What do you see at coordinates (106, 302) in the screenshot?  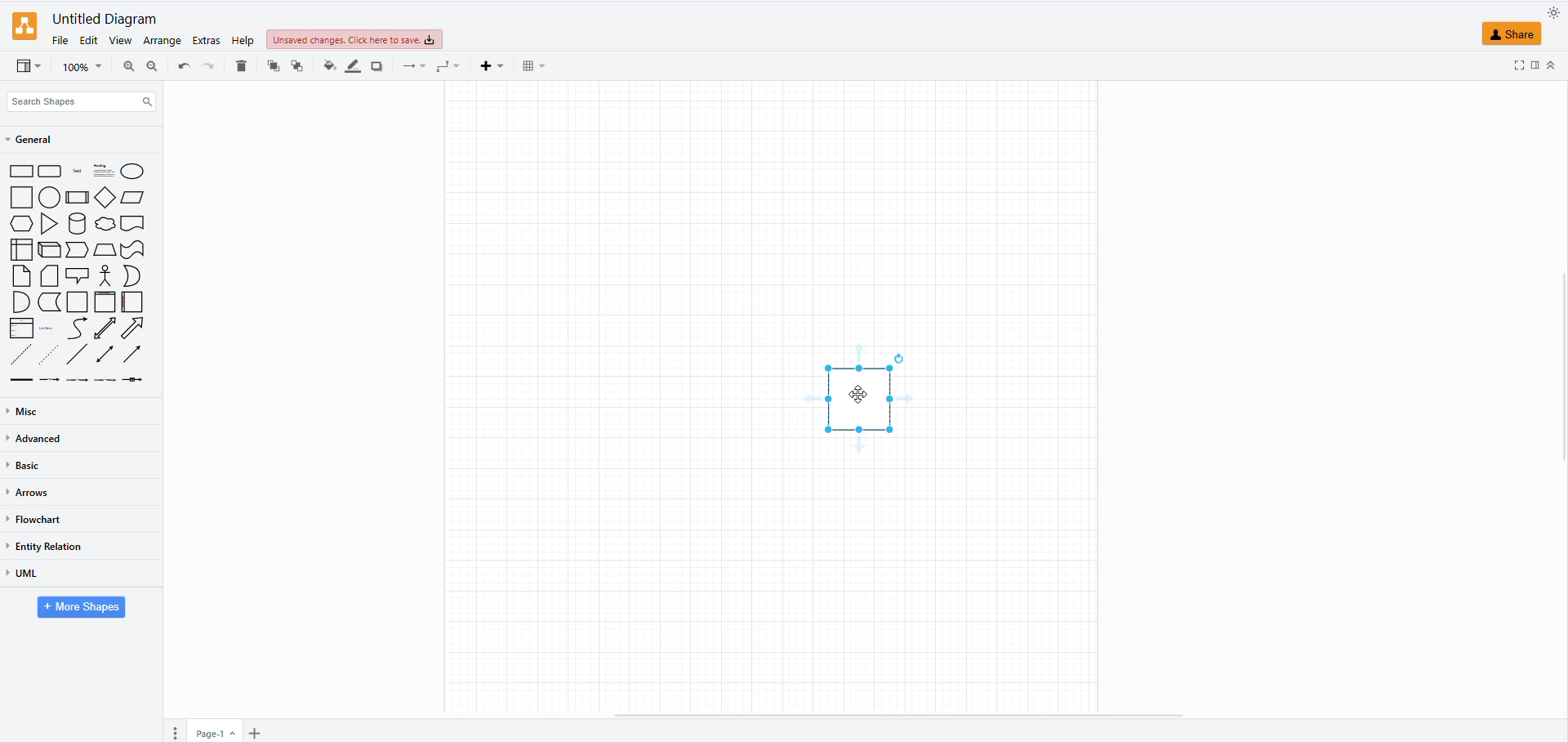 I see `vertical container` at bounding box center [106, 302].